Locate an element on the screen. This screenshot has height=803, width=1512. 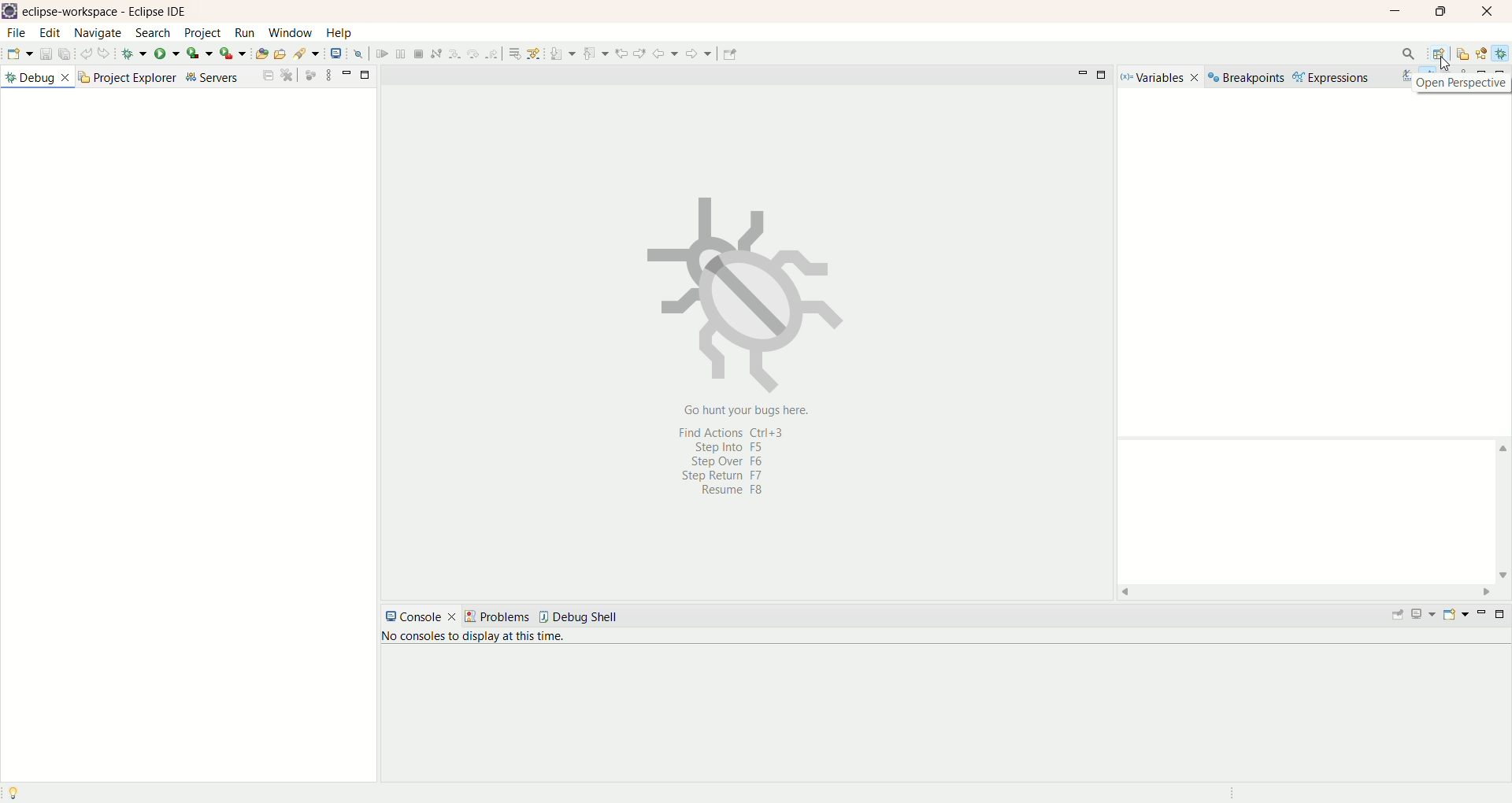
open perspective is located at coordinates (1462, 83).